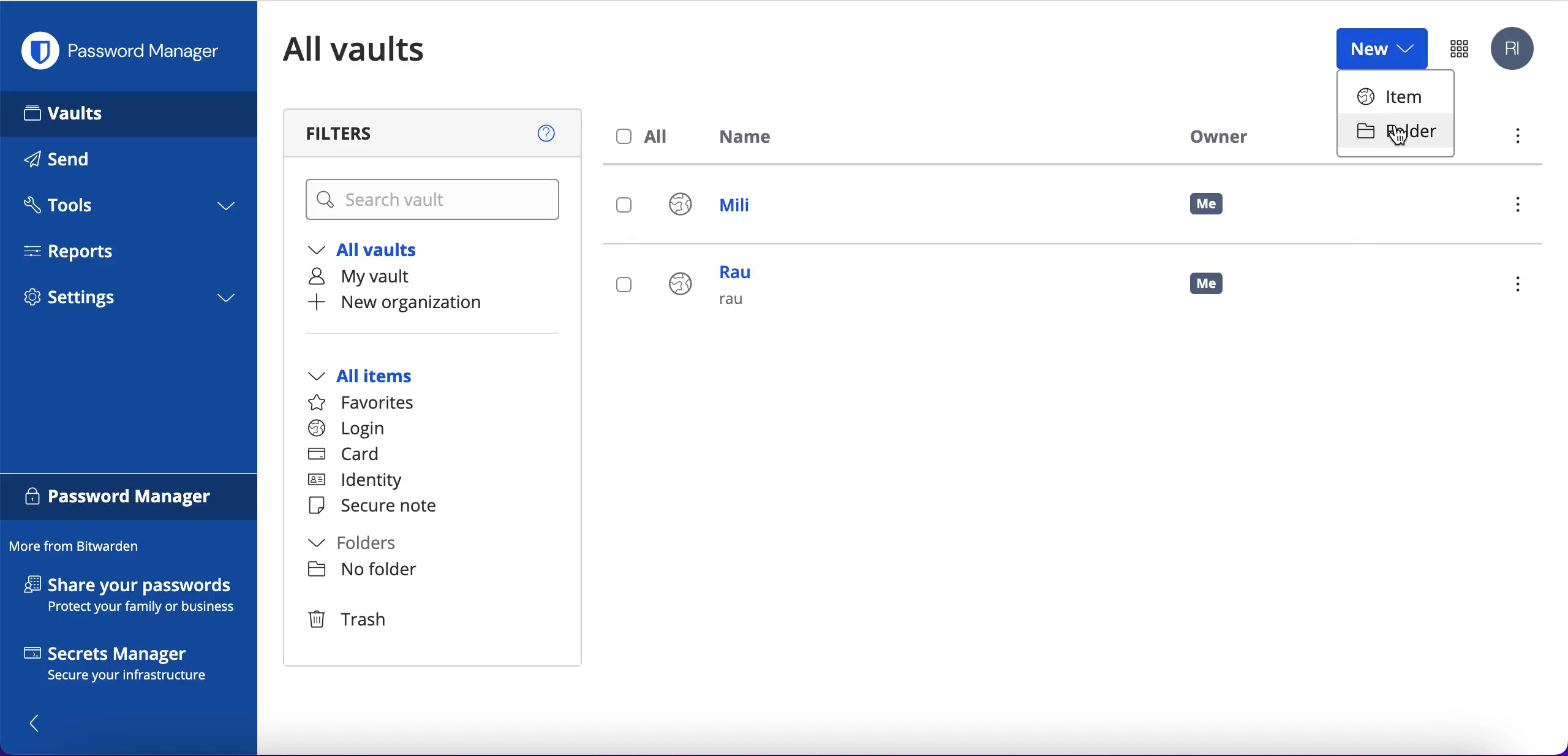 Image resolution: width=1568 pixels, height=756 pixels. Describe the element at coordinates (1215, 136) in the screenshot. I see `owner` at that location.